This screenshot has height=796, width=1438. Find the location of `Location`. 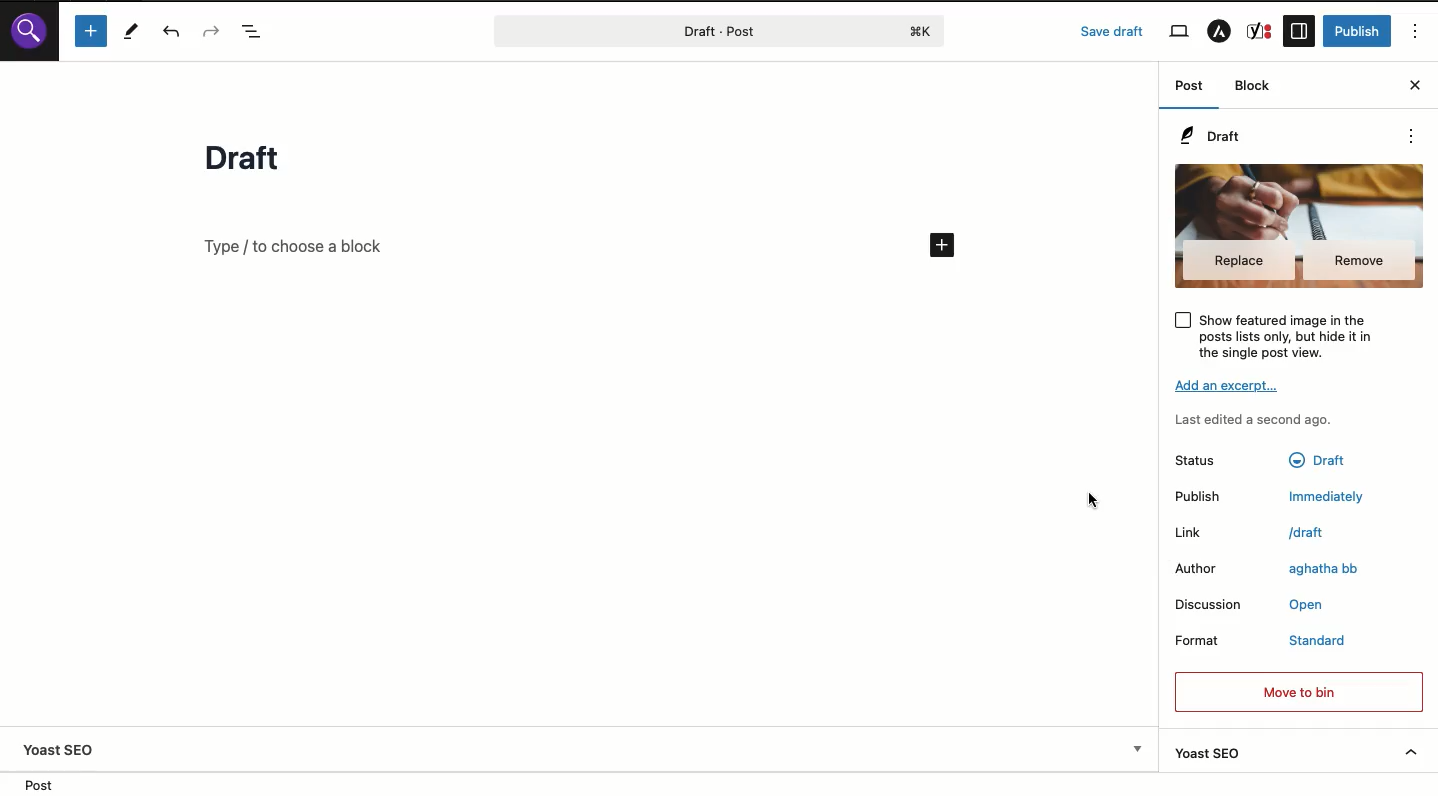

Location is located at coordinates (48, 783).